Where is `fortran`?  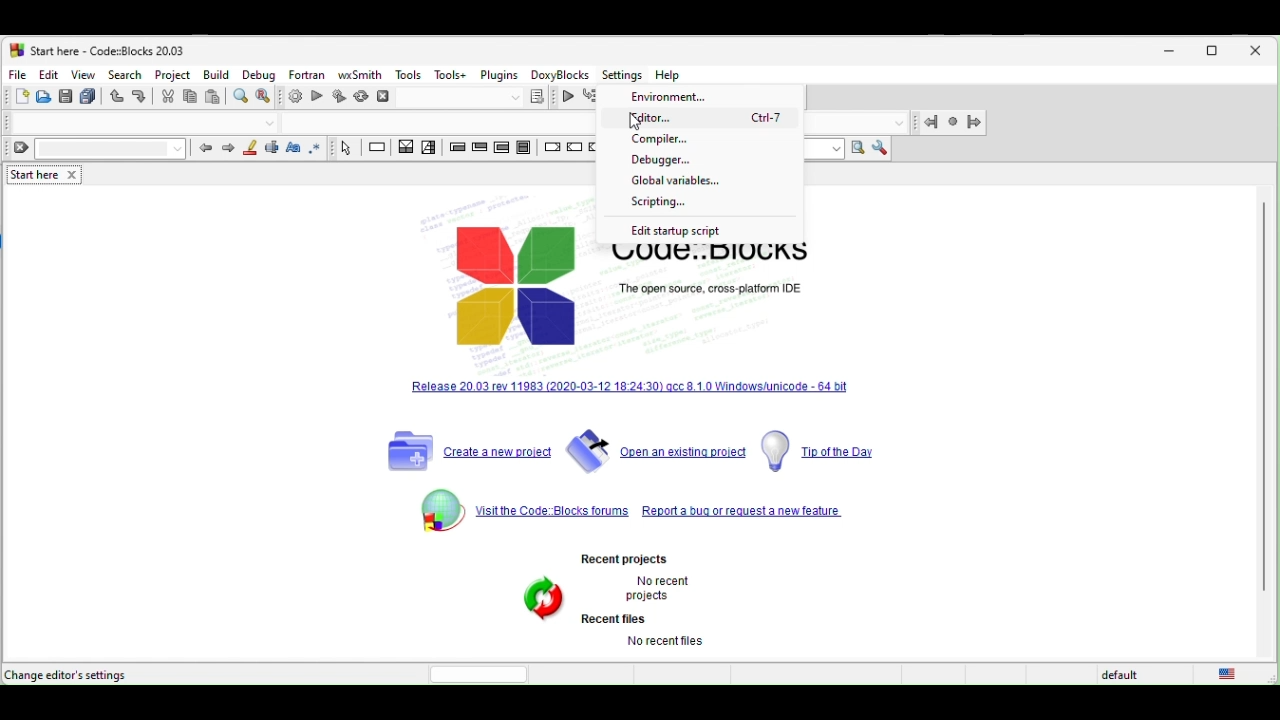 fortran is located at coordinates (306, 74).